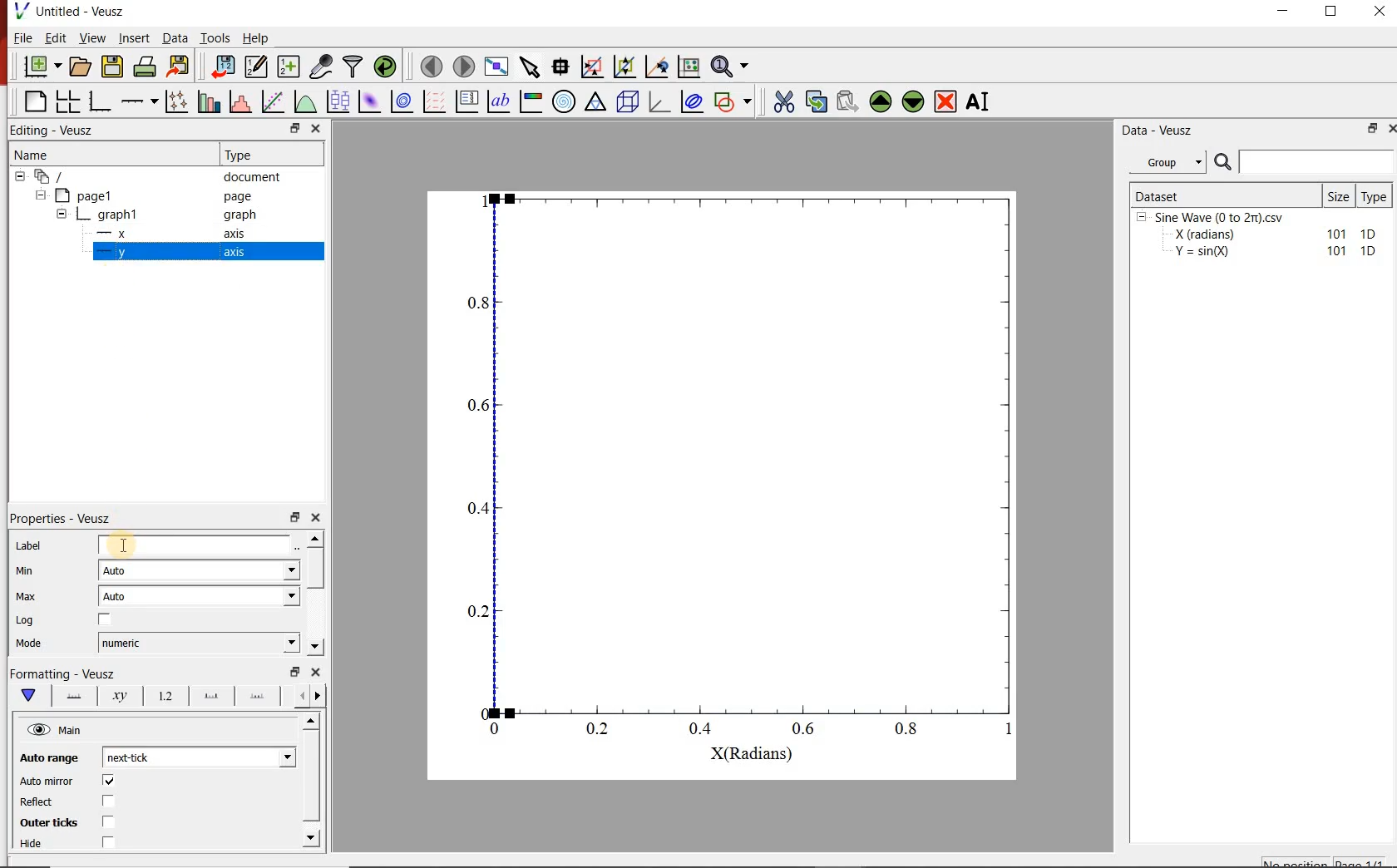  What do you see at coordinates (180, 66) in the screenshot?
I see `export to graphics` at bounding box center [180, 66].